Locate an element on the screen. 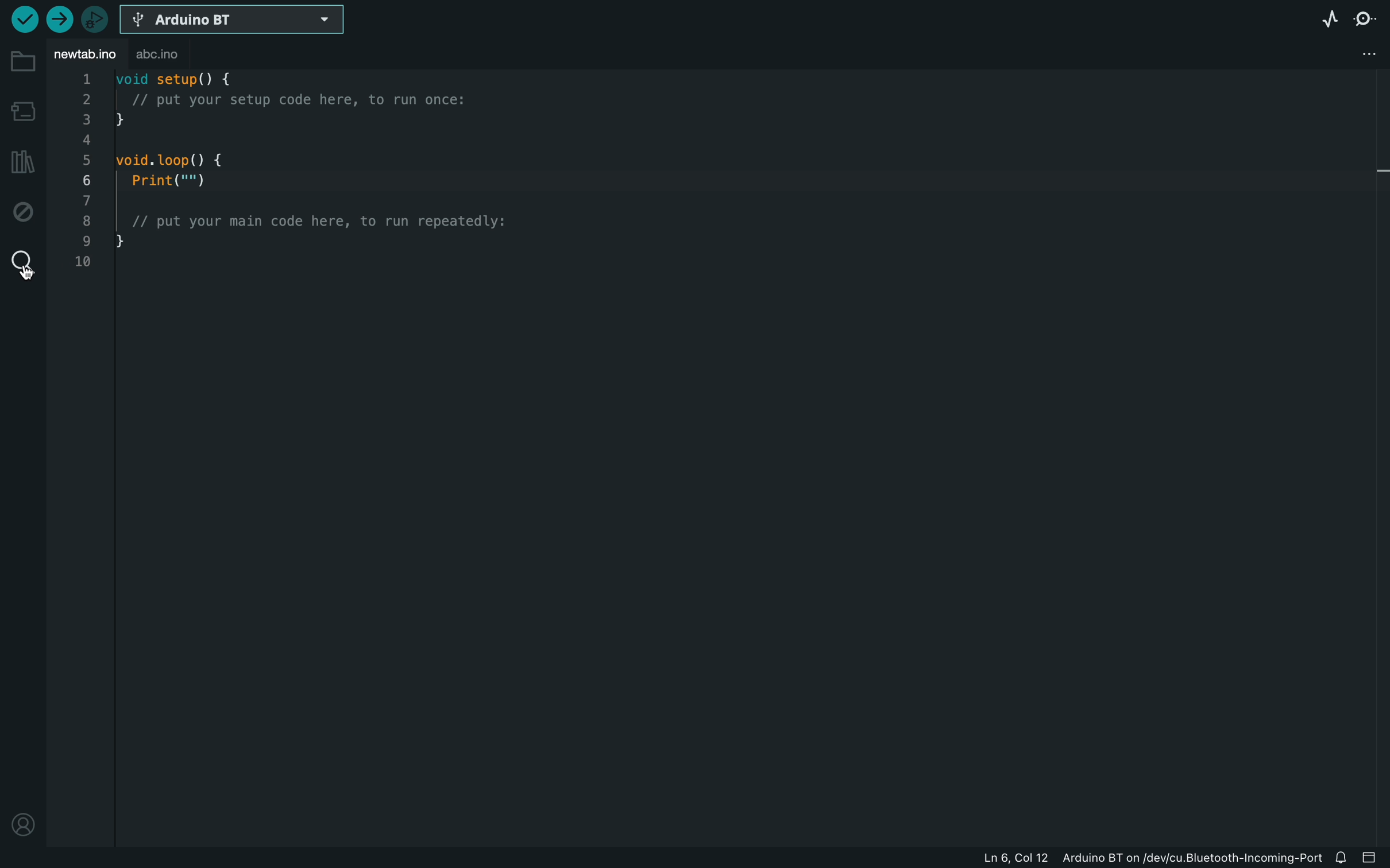  upload is located at coordinates (61, 19).